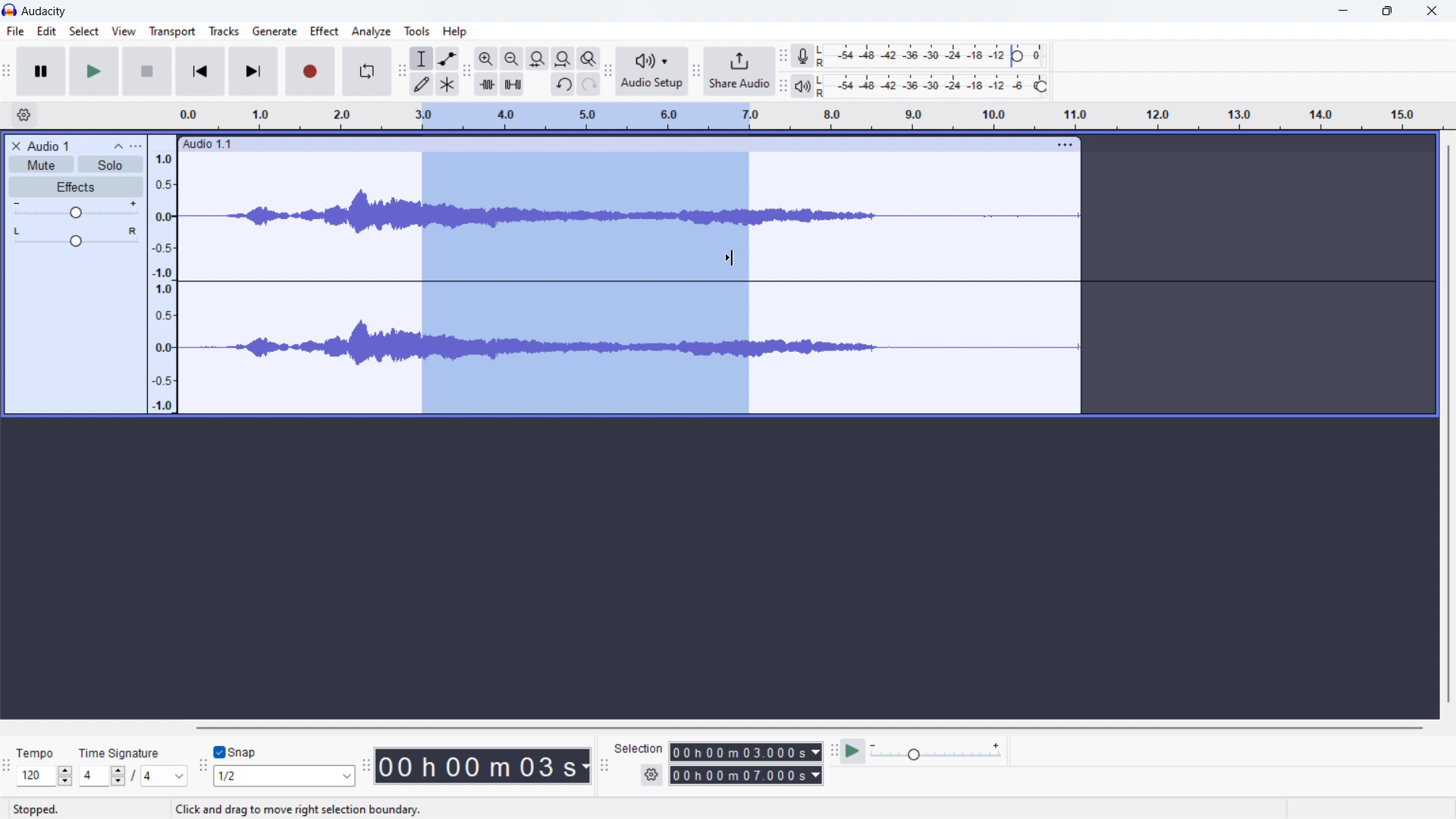 The height and width of the screenshot is (819, 1456). Describe the element at coordinates (141, 143) in the screenshot. I see `more options` at that location.